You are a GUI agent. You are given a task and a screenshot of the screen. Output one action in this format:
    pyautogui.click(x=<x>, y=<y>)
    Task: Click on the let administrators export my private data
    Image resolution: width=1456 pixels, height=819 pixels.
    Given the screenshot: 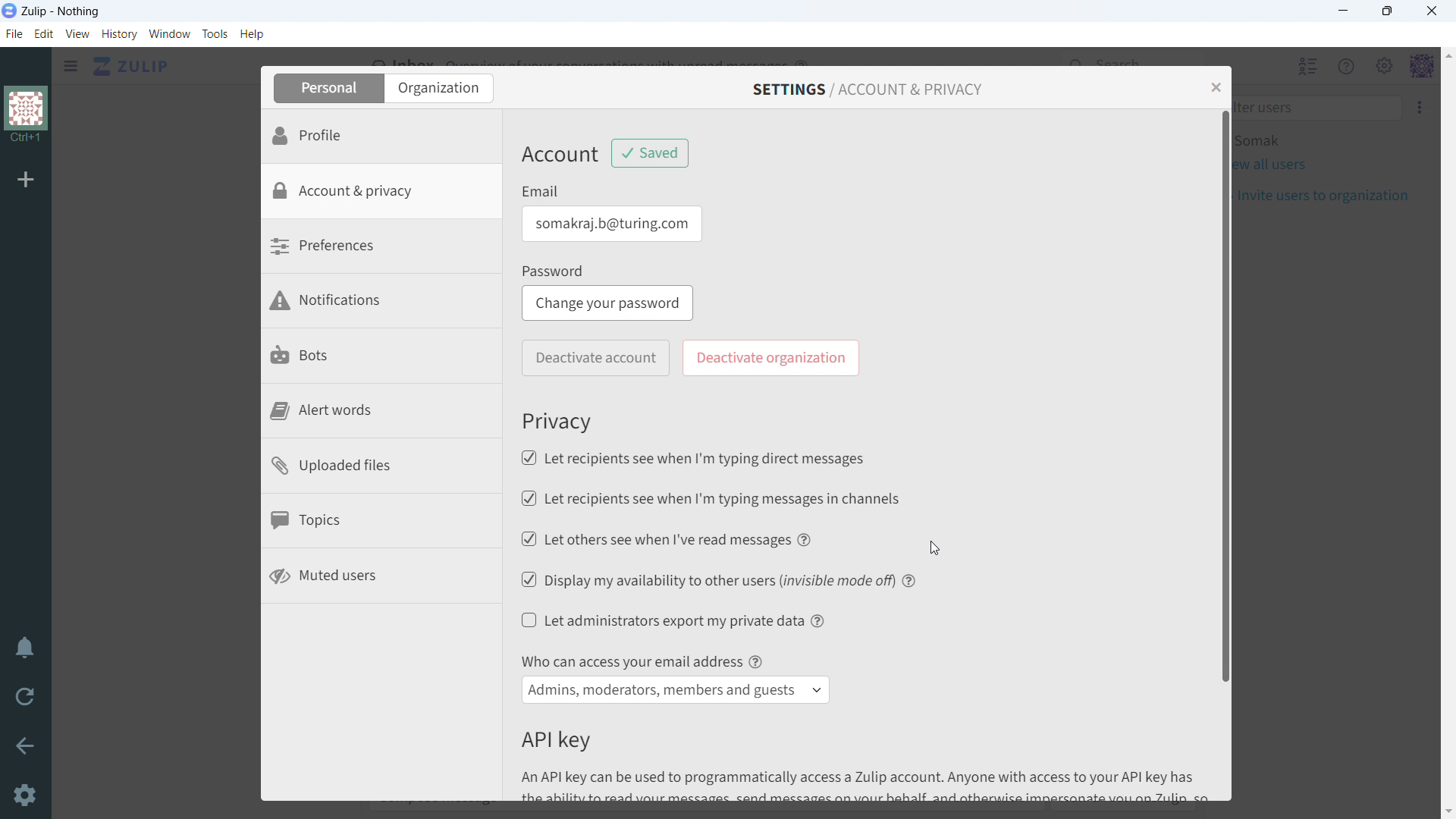 What is the action you would take?
    pyautogui.click(x=663, y=620)
    